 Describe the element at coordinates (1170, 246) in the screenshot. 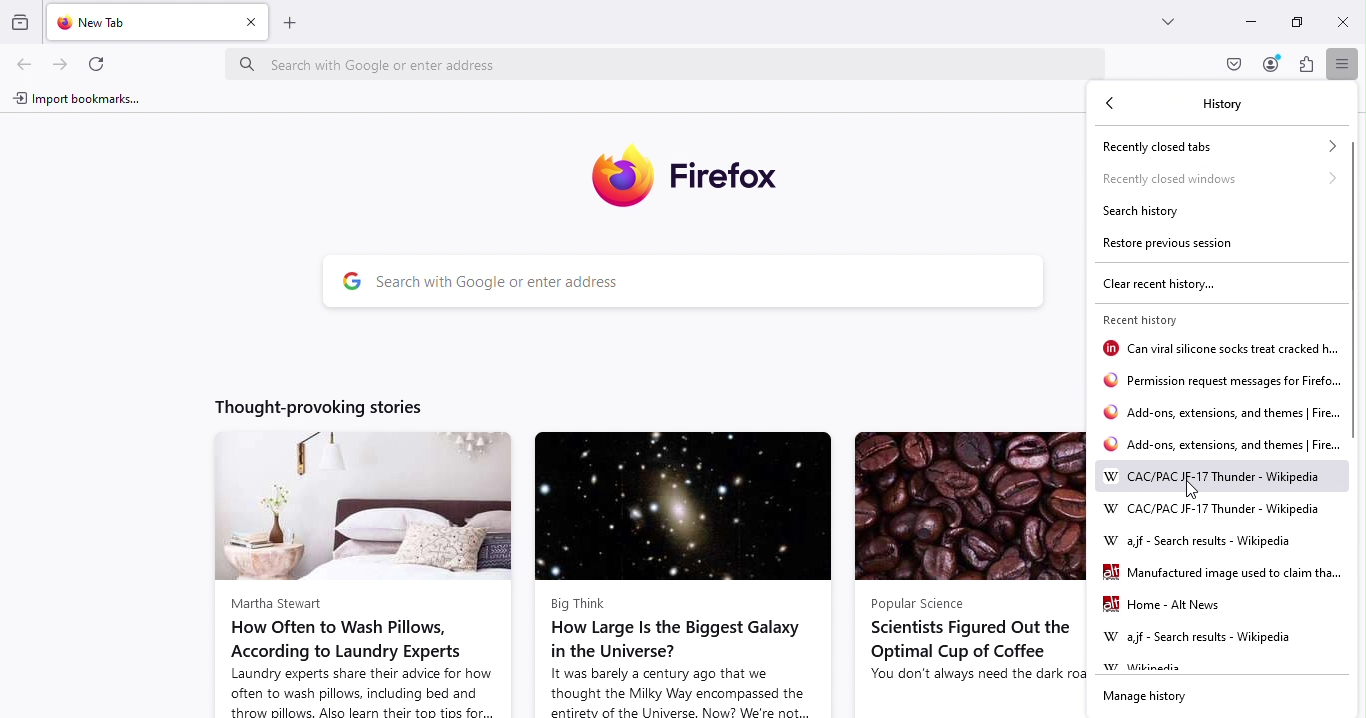

I see `Restore previous session` at that location.